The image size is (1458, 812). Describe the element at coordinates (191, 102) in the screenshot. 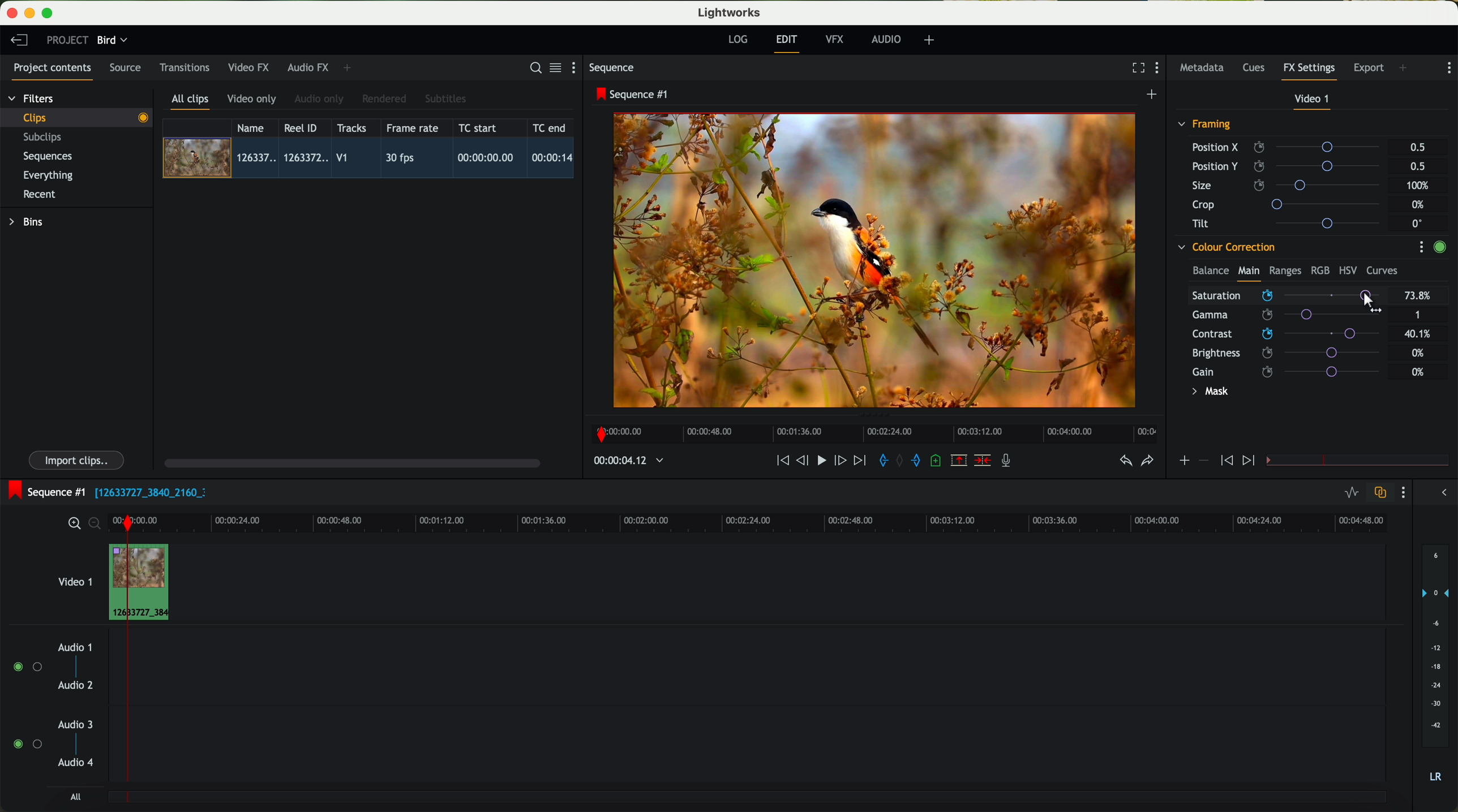

I see `all clips` at that location.